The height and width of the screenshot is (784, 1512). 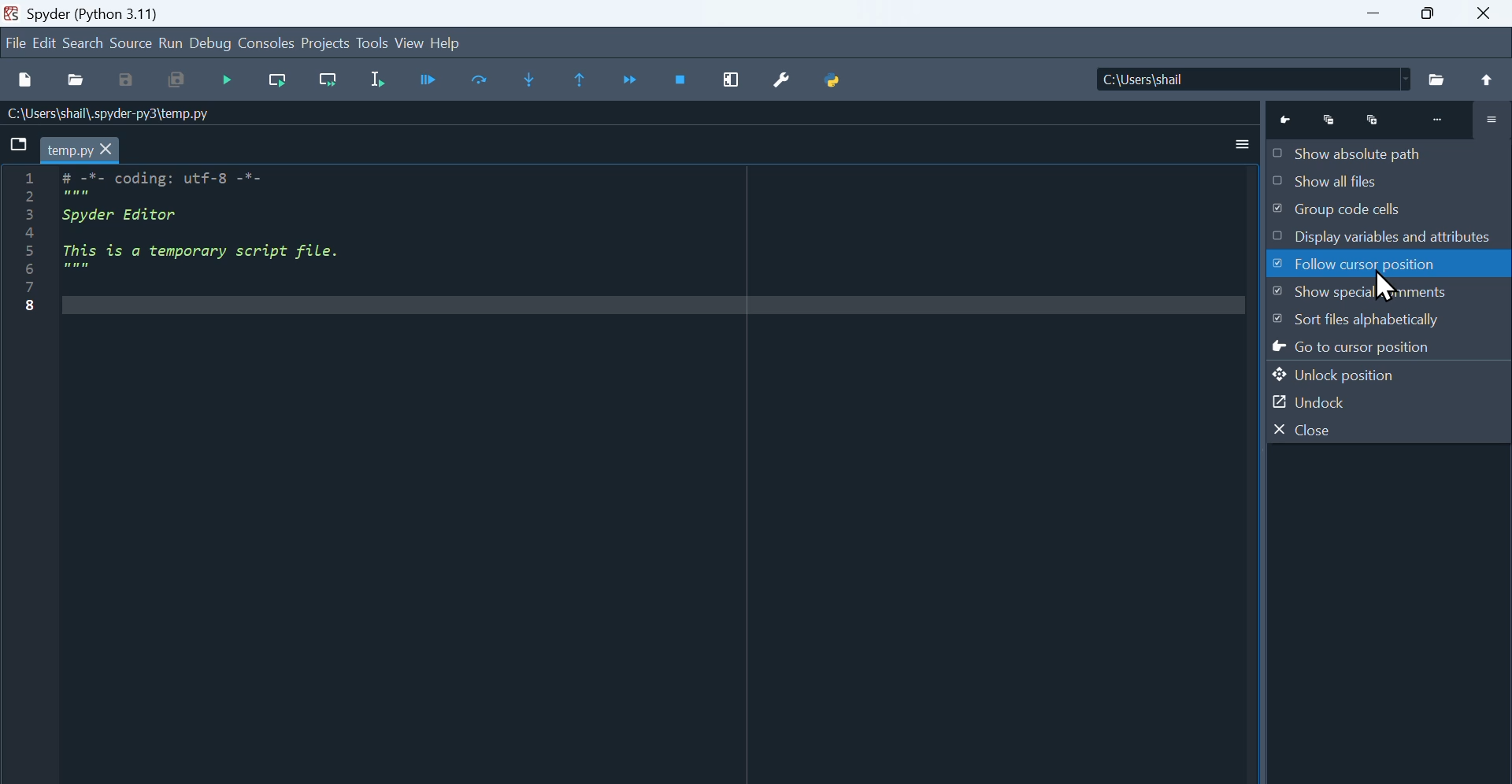 I want to click on view, so click(x=410, y=43).